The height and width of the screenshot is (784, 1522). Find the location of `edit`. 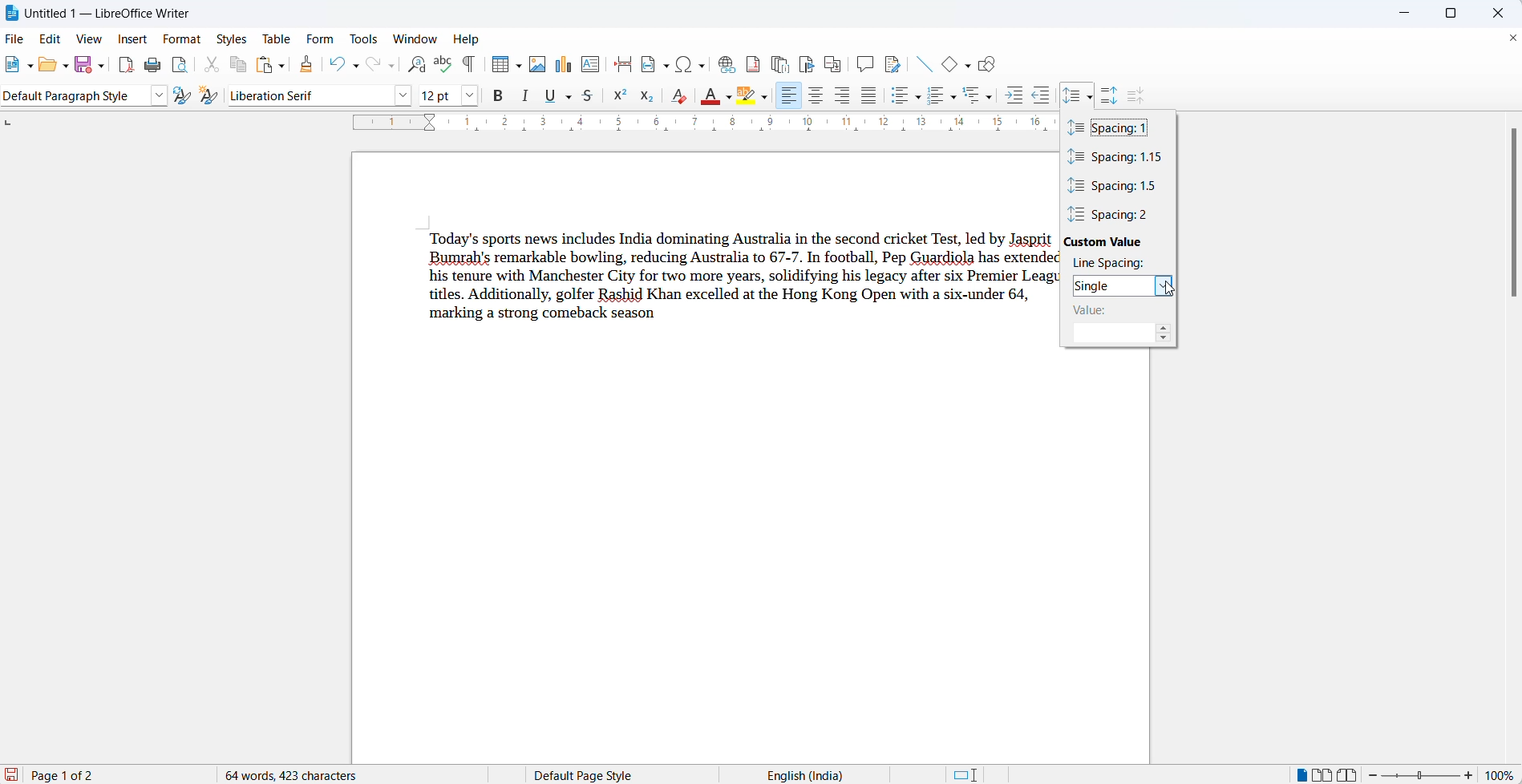

edit is located at coordinates (53, 38).